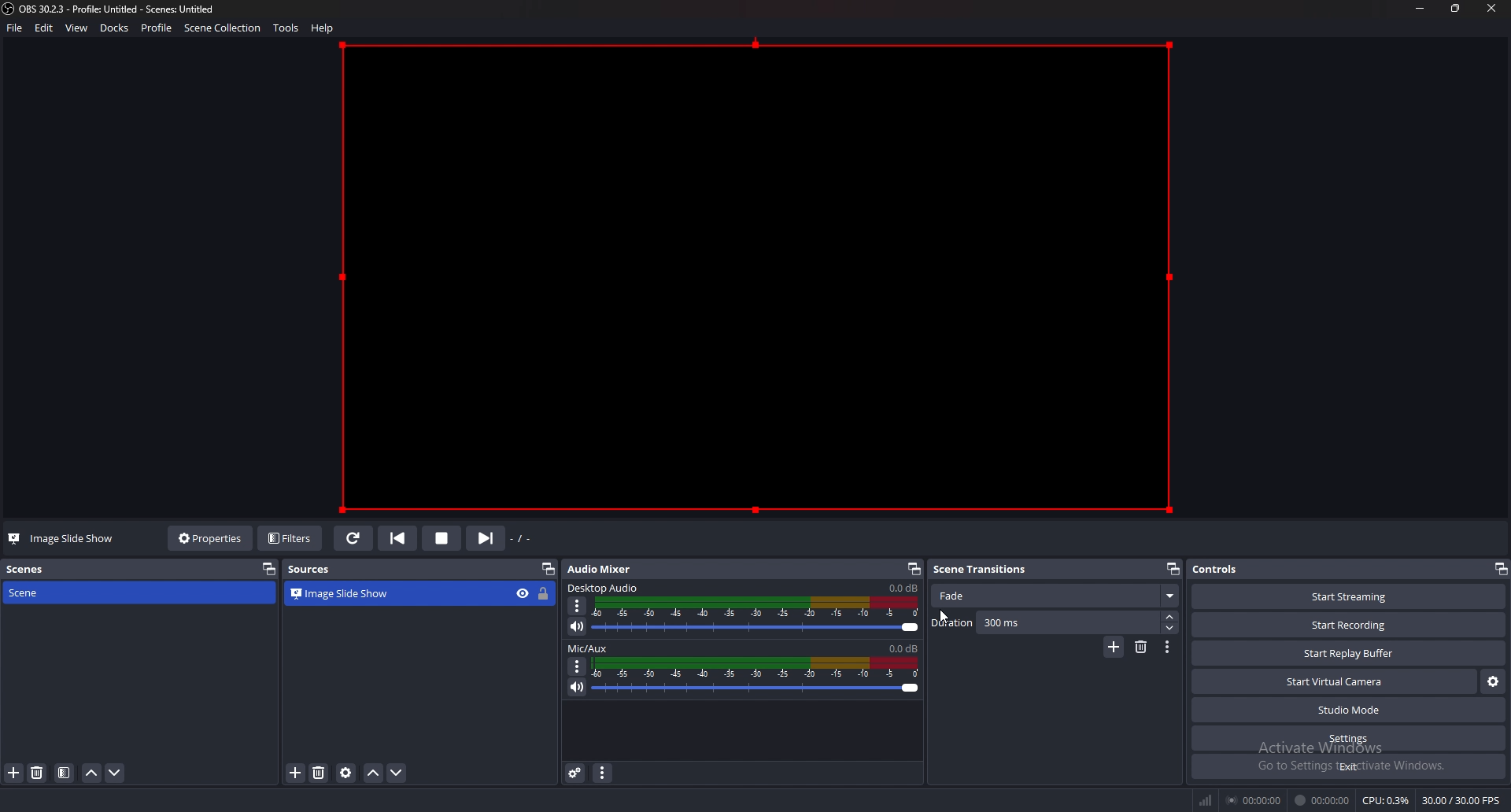  Describe the element at coordinates (1348, 739) in the screenshot. I see `settings` at that location.